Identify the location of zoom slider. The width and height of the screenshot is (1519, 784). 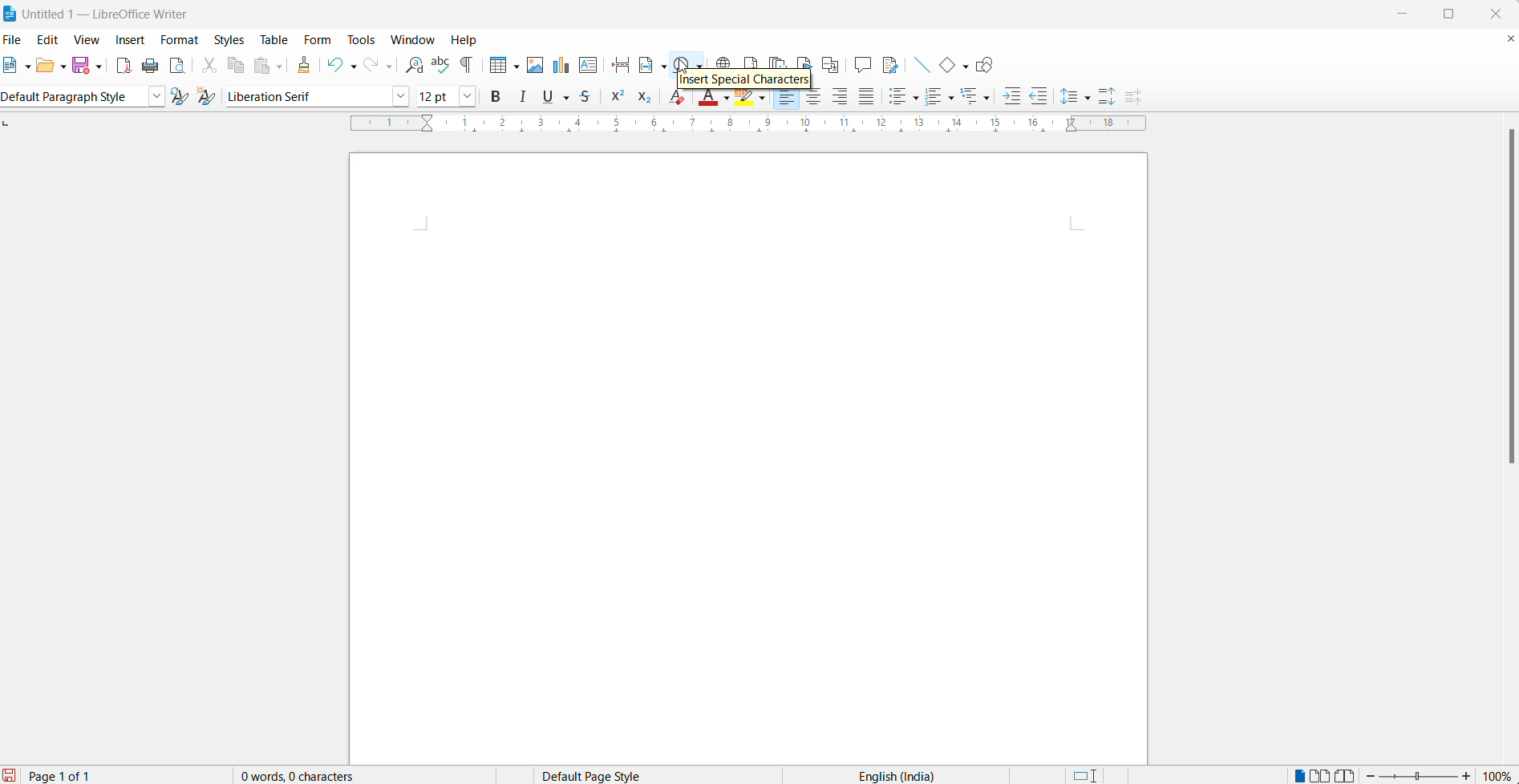
(1419, 776).